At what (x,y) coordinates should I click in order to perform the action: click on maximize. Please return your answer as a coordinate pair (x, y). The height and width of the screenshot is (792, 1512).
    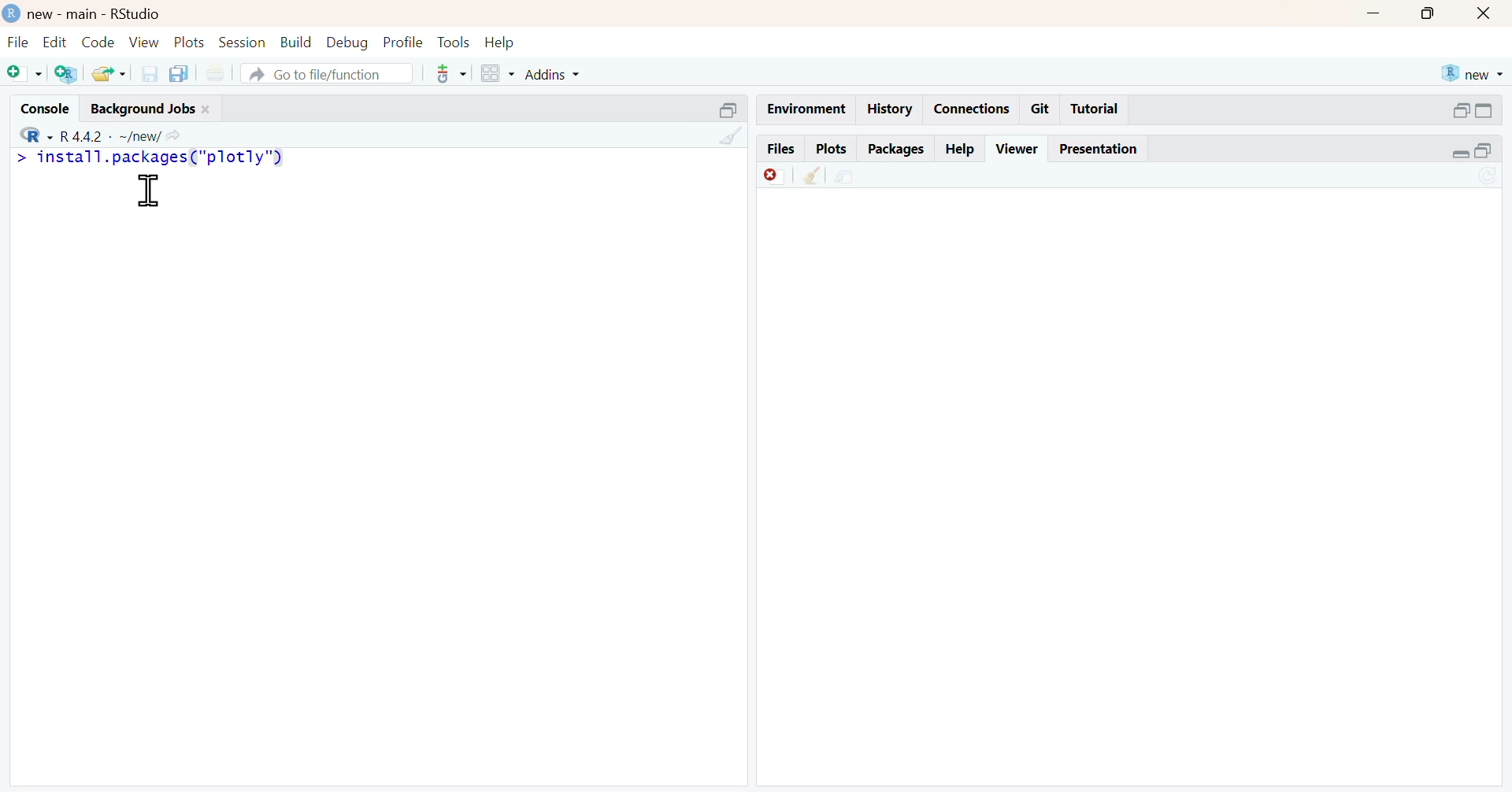
    Looking at the image, I should click on (1494, 153).